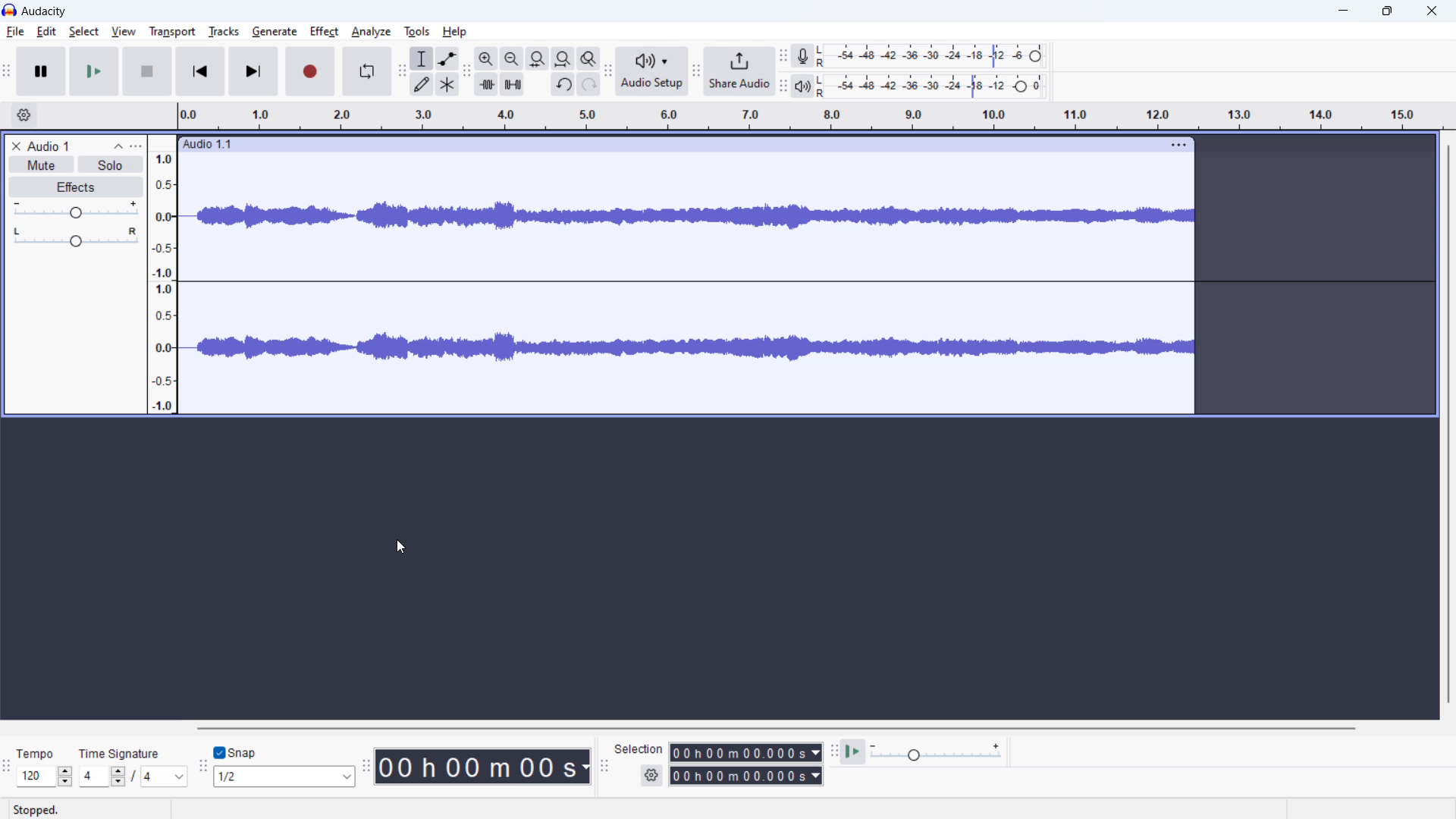 This screenshot has width=1456, height=819. I want to click on silence audio selection, so click(513, 83).